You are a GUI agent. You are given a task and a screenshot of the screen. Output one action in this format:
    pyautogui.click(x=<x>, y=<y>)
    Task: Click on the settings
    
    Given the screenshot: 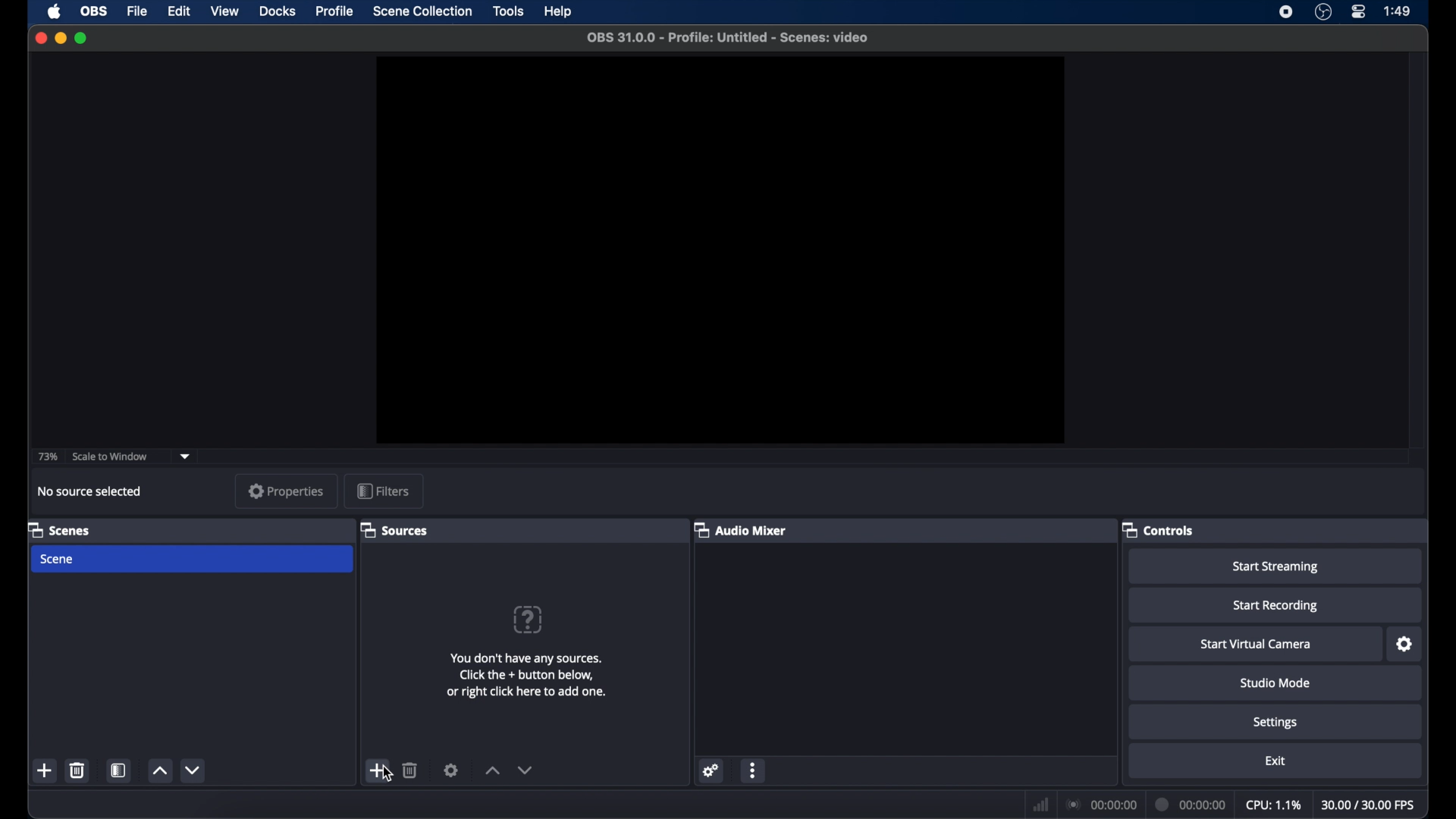 What is the action you would take?
    pyautogui.click(x=1277, y=723)
    